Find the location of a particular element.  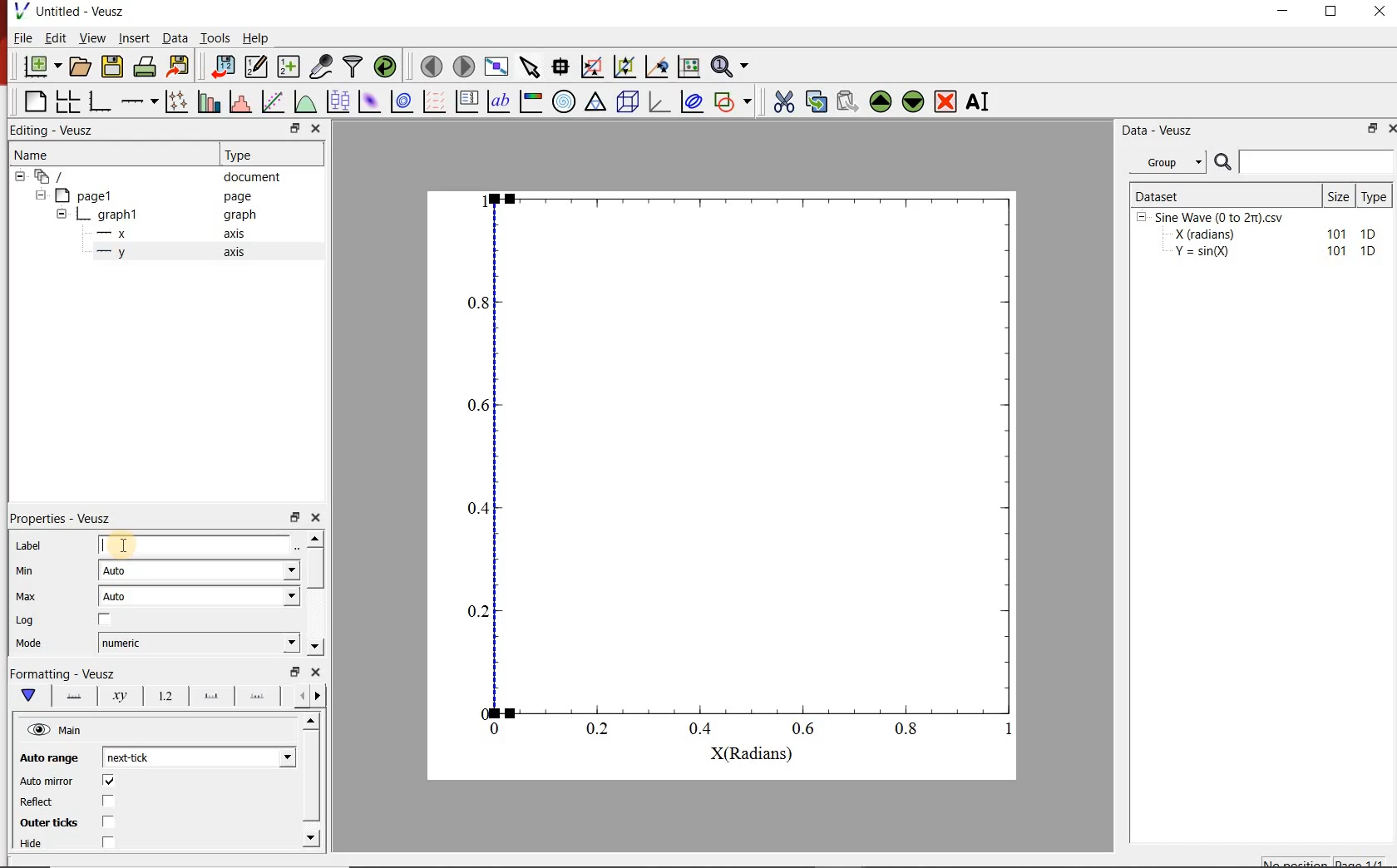

copy is located at coordinates (816, 100).